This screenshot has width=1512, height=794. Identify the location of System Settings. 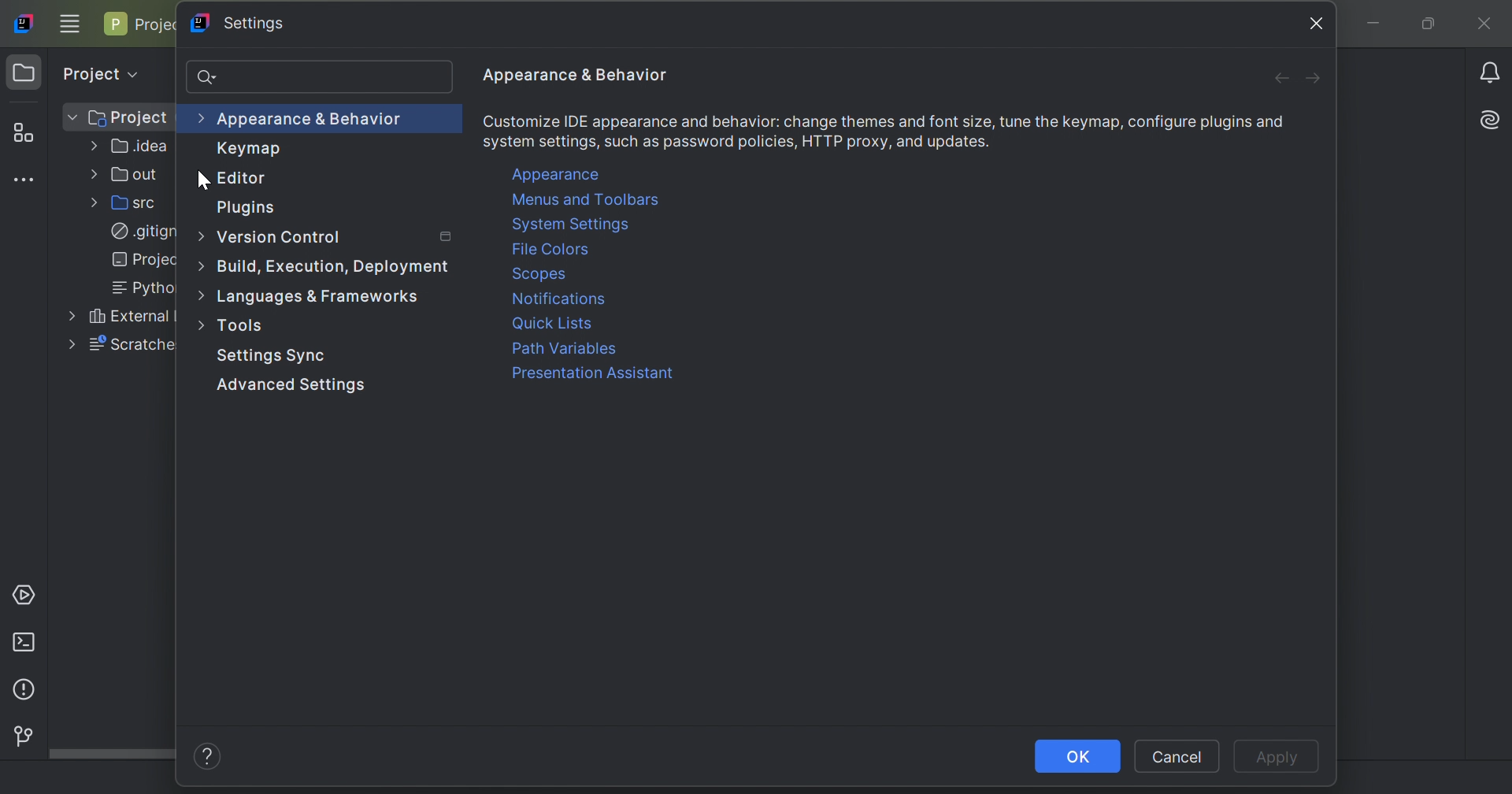
(574, 225).